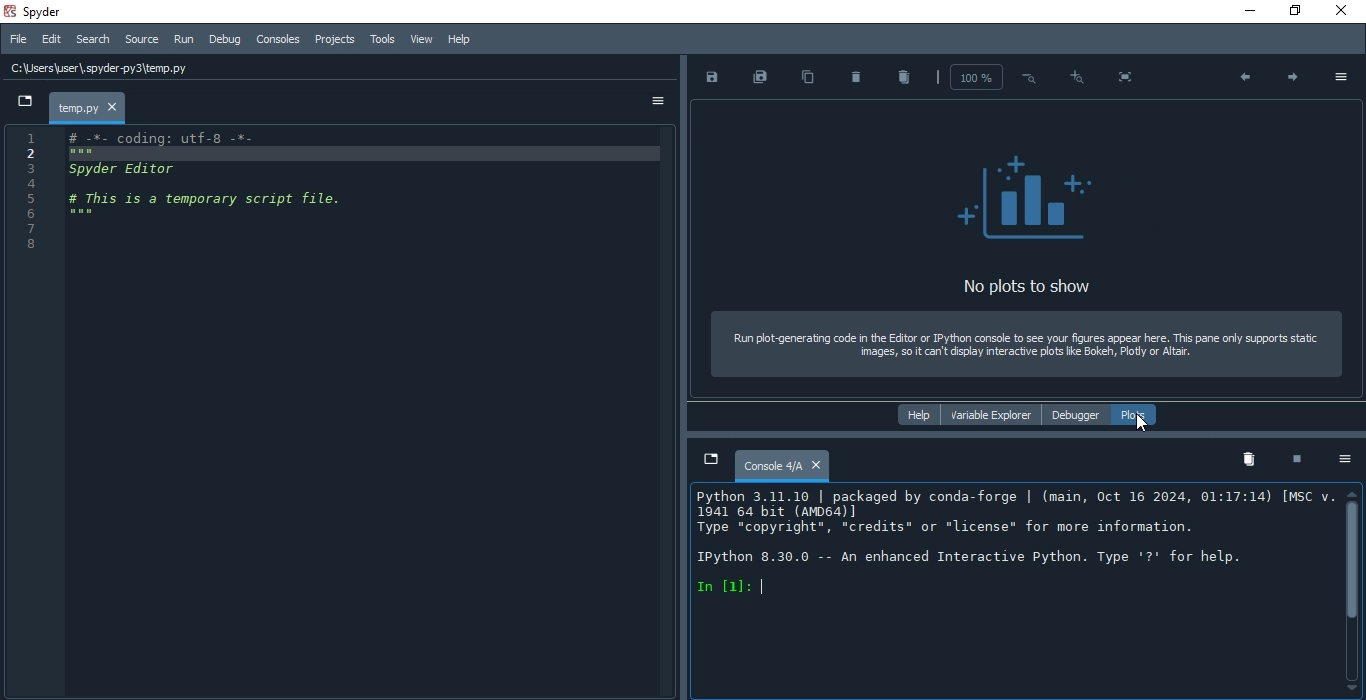 This screenshot has width=1366, height=700. Describe the element at coordinates (223, 40) in the screenshot. I see `Debug` at that location.